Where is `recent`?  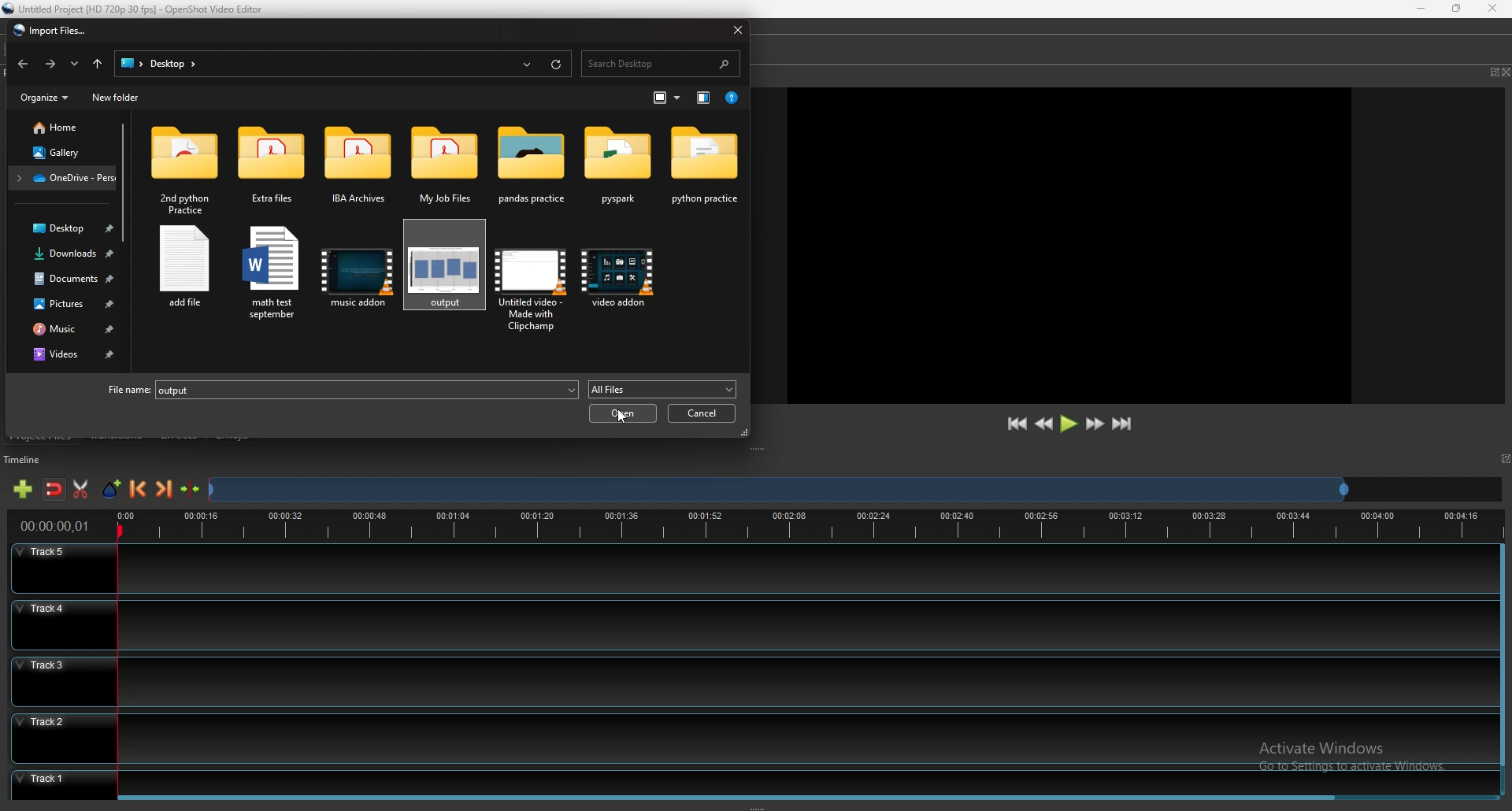 recent is located at coordinates (528, 65).